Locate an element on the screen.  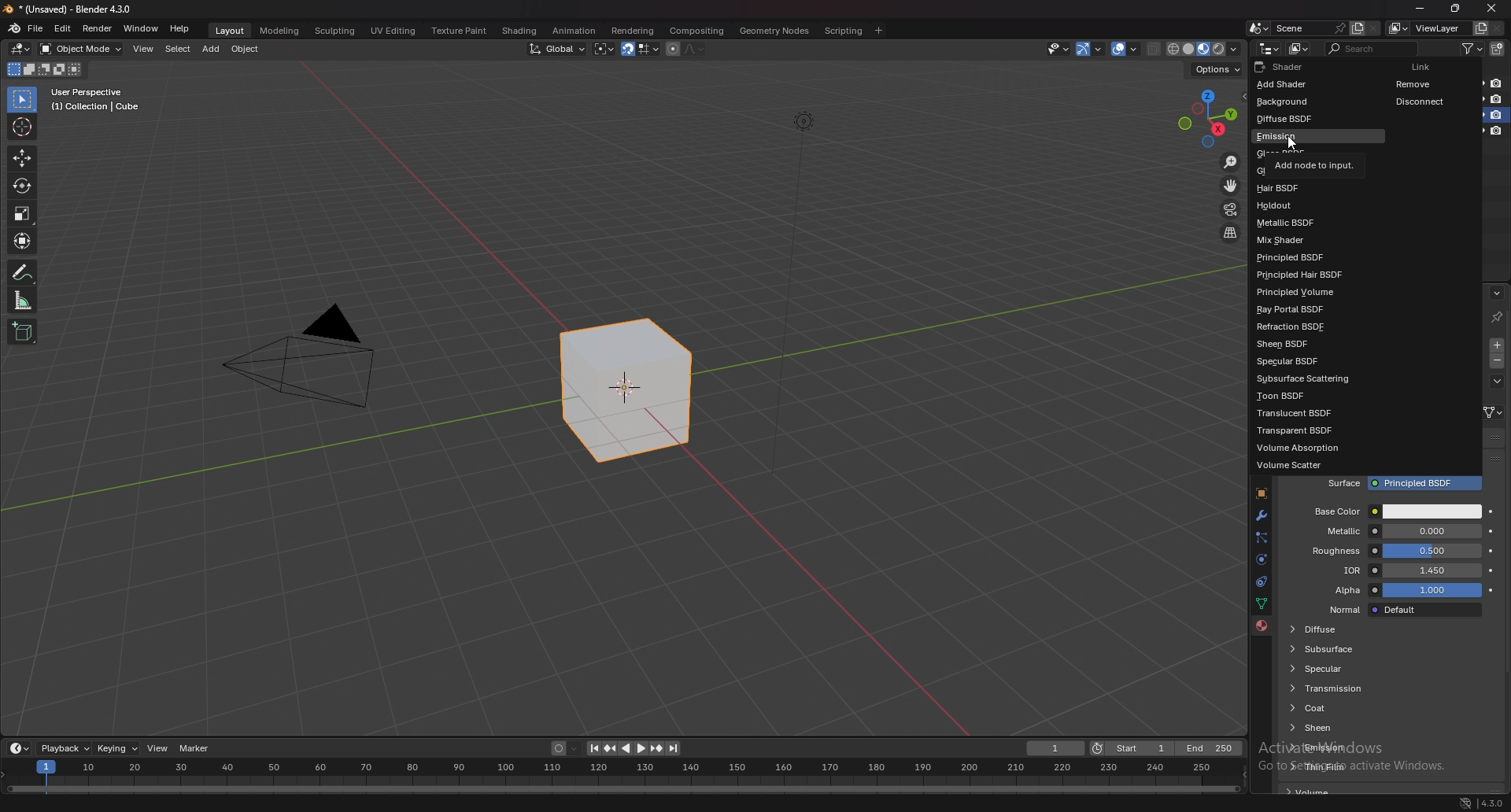
cursor is located at coordinates (1291, 144).